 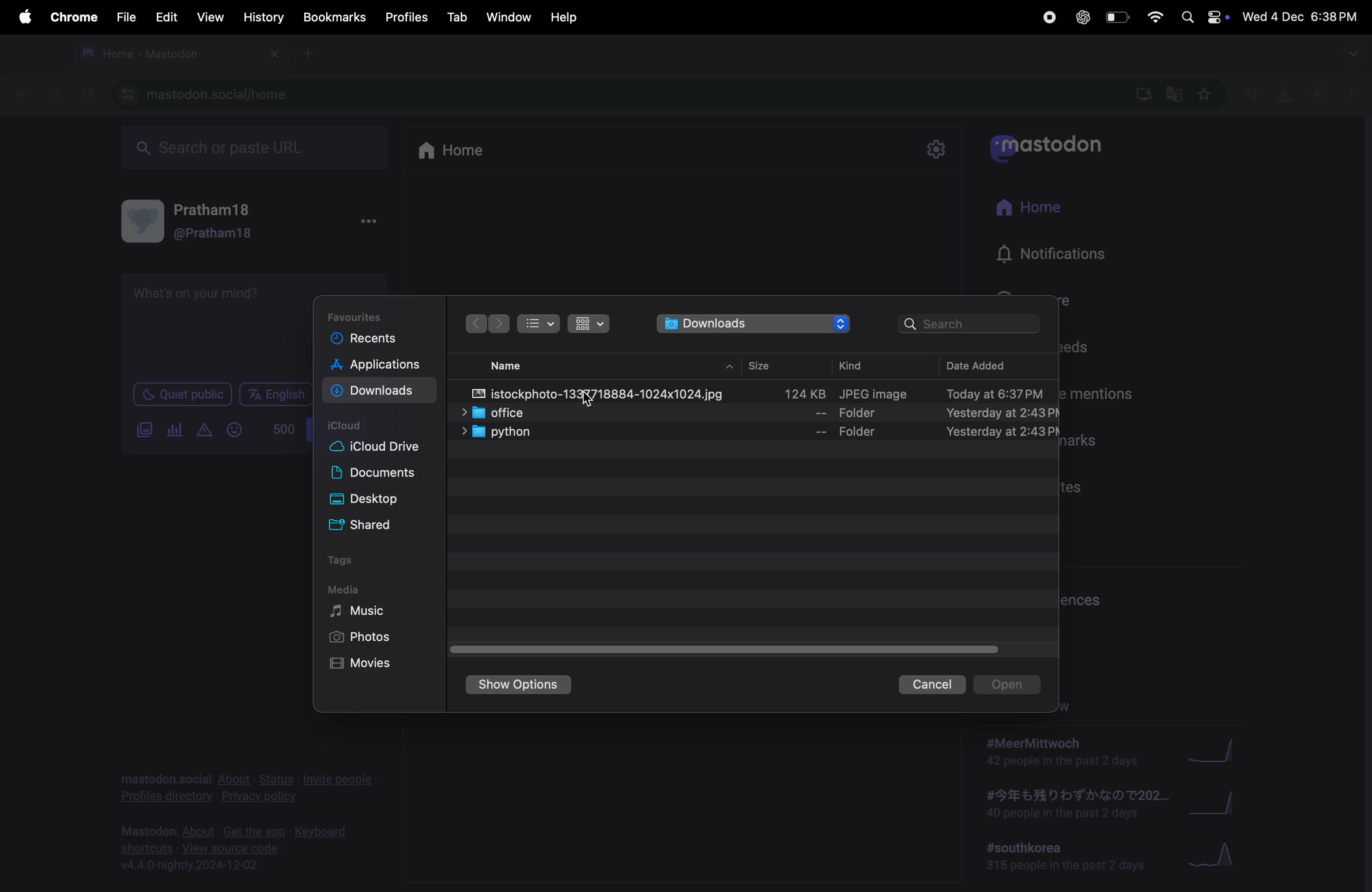 I want to click on media, so click(x=349, y=589).